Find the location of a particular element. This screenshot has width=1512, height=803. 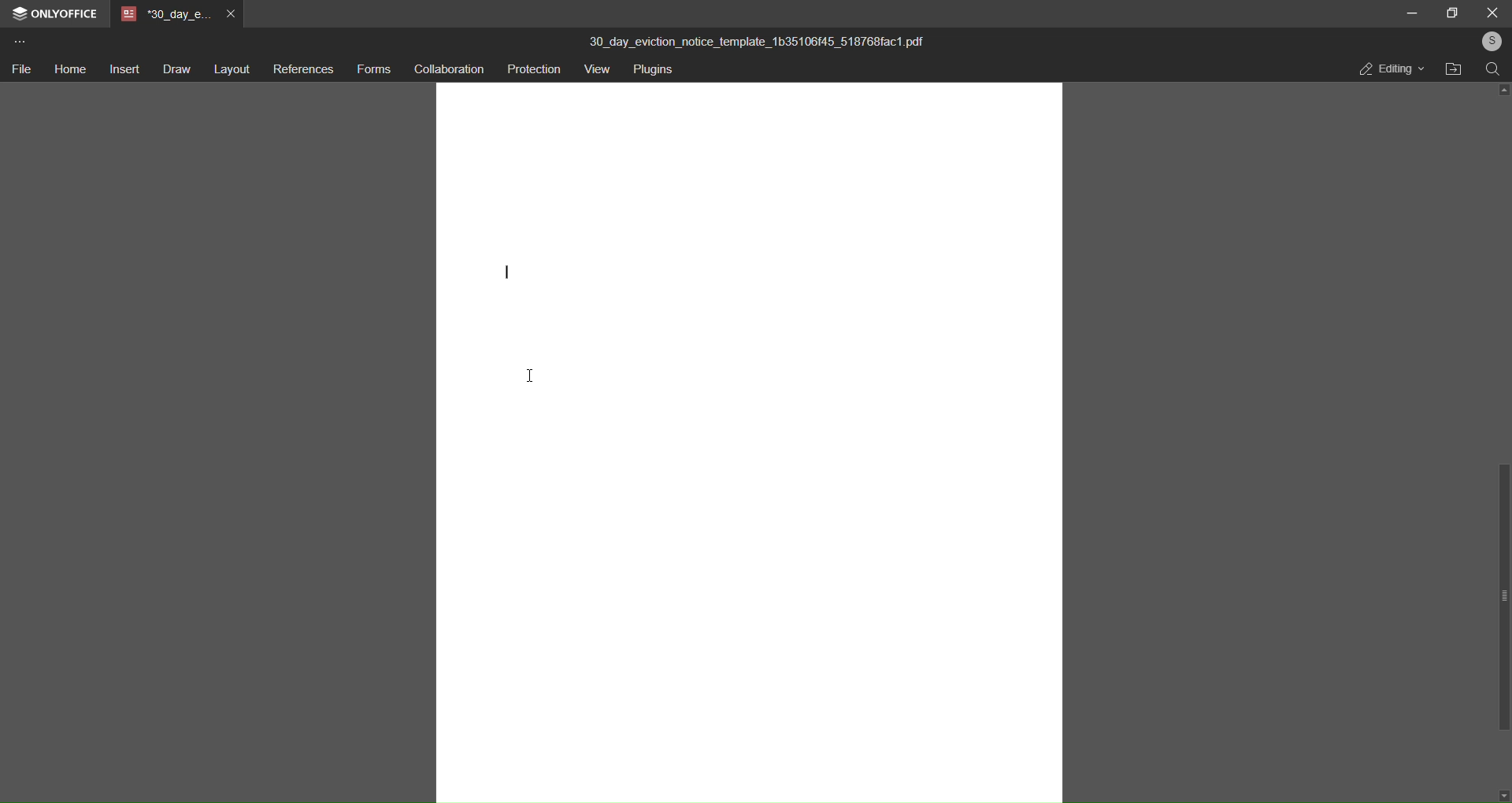

cursor is located at coordinates (533, 377).